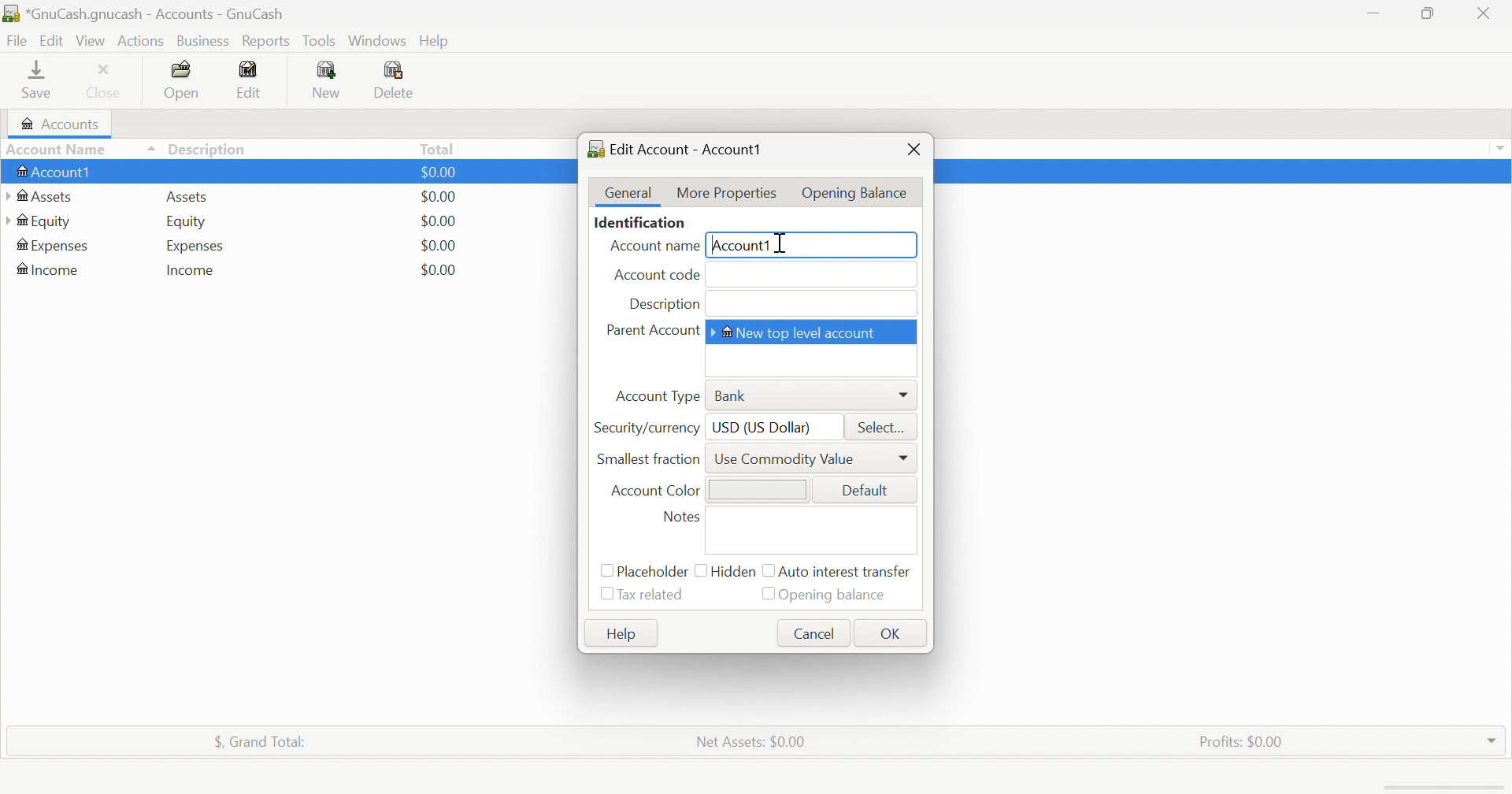 The image size is (1512, 794). What do you see at coordinates (842, 570) in the screenshot?
I see `Auto intense transfer` at bounding box center [842, 570].